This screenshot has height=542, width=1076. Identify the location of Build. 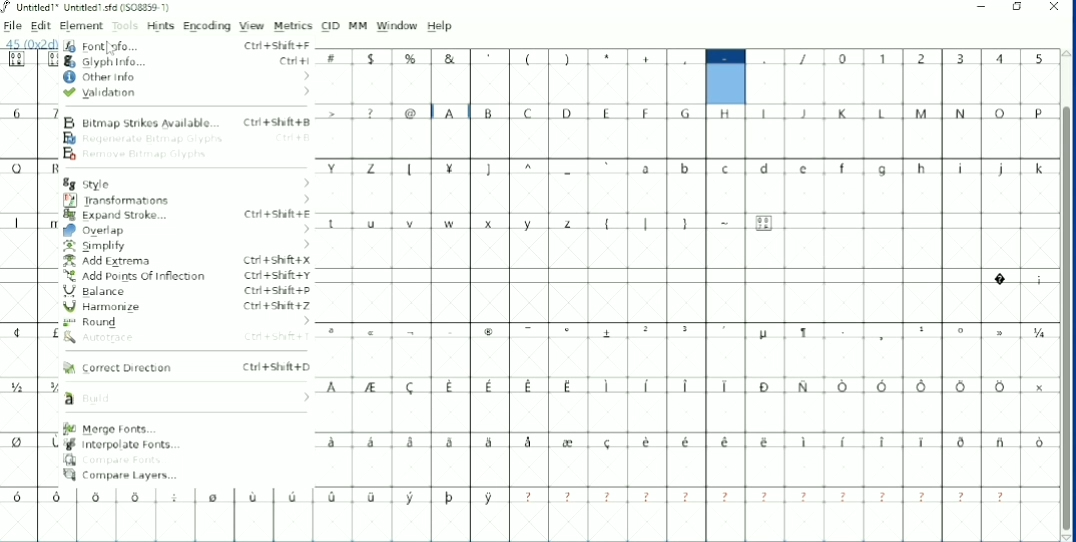
(188, 398).